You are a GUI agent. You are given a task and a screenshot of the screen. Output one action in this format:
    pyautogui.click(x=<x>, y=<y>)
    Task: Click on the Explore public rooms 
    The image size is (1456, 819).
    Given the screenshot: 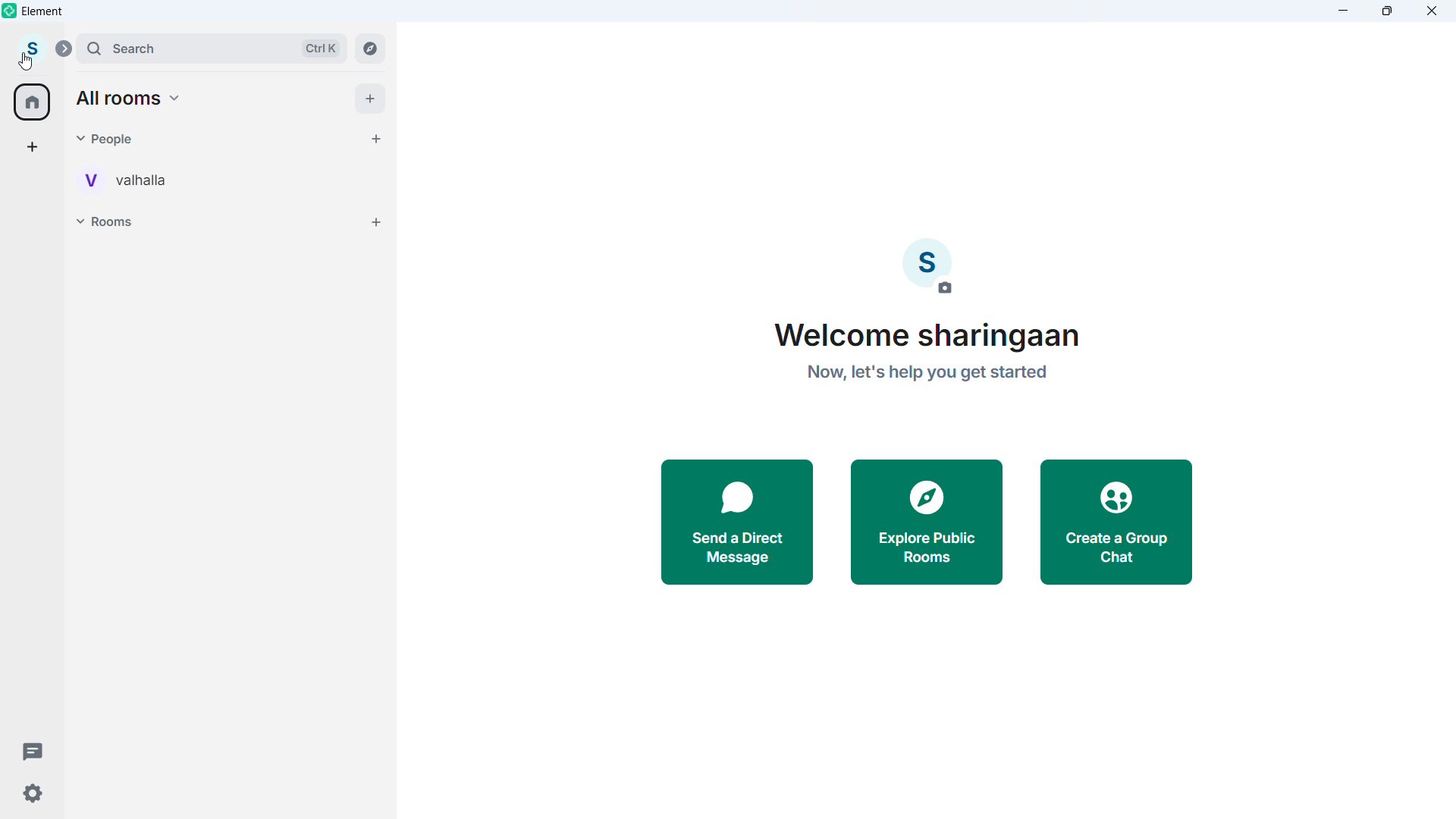 What is the action you would take?
    pyautogui.click(x=927, y=523)
    